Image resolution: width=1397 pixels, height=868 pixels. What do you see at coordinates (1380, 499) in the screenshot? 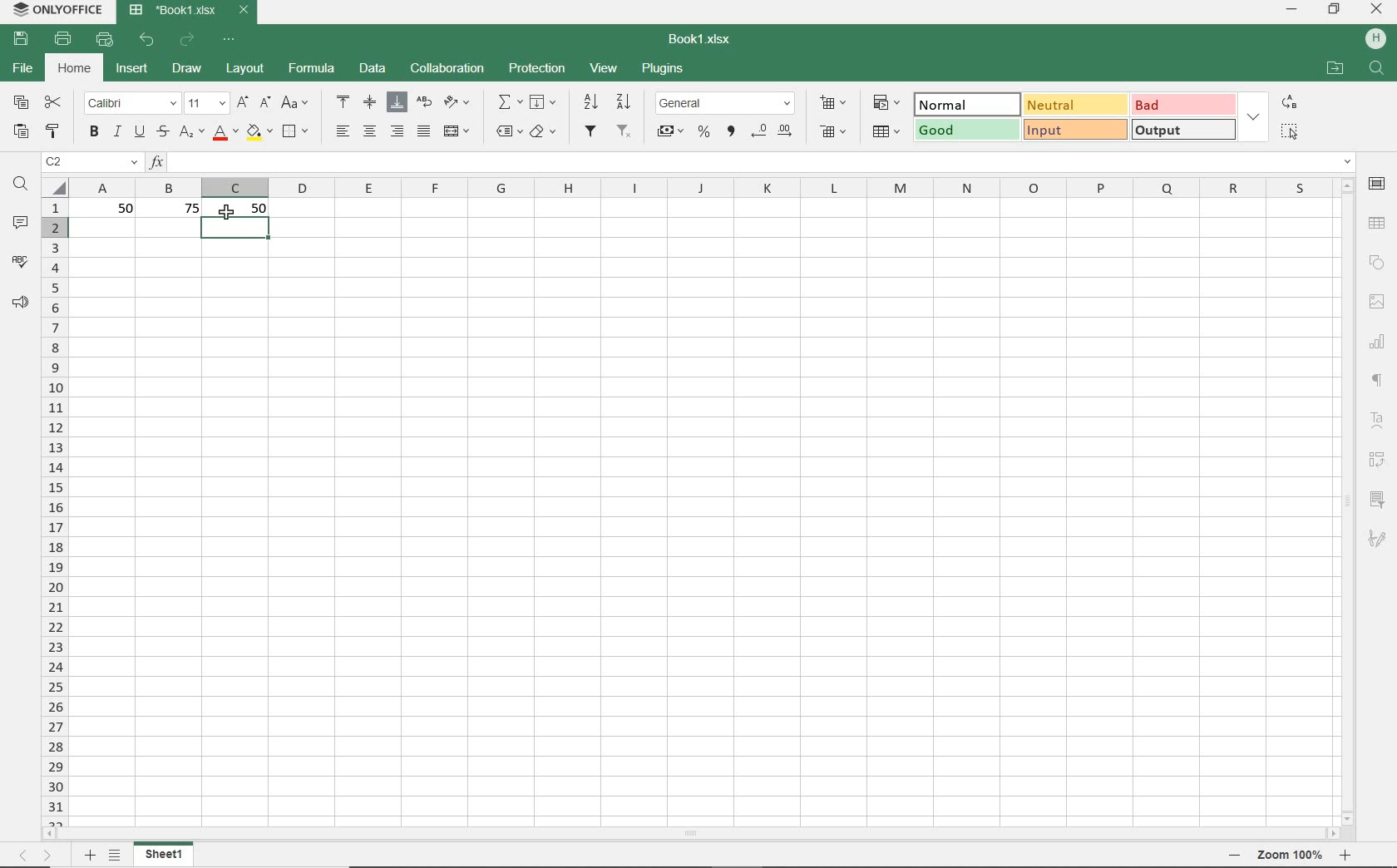
I see `slicer` at bounding box center [1380, 499].